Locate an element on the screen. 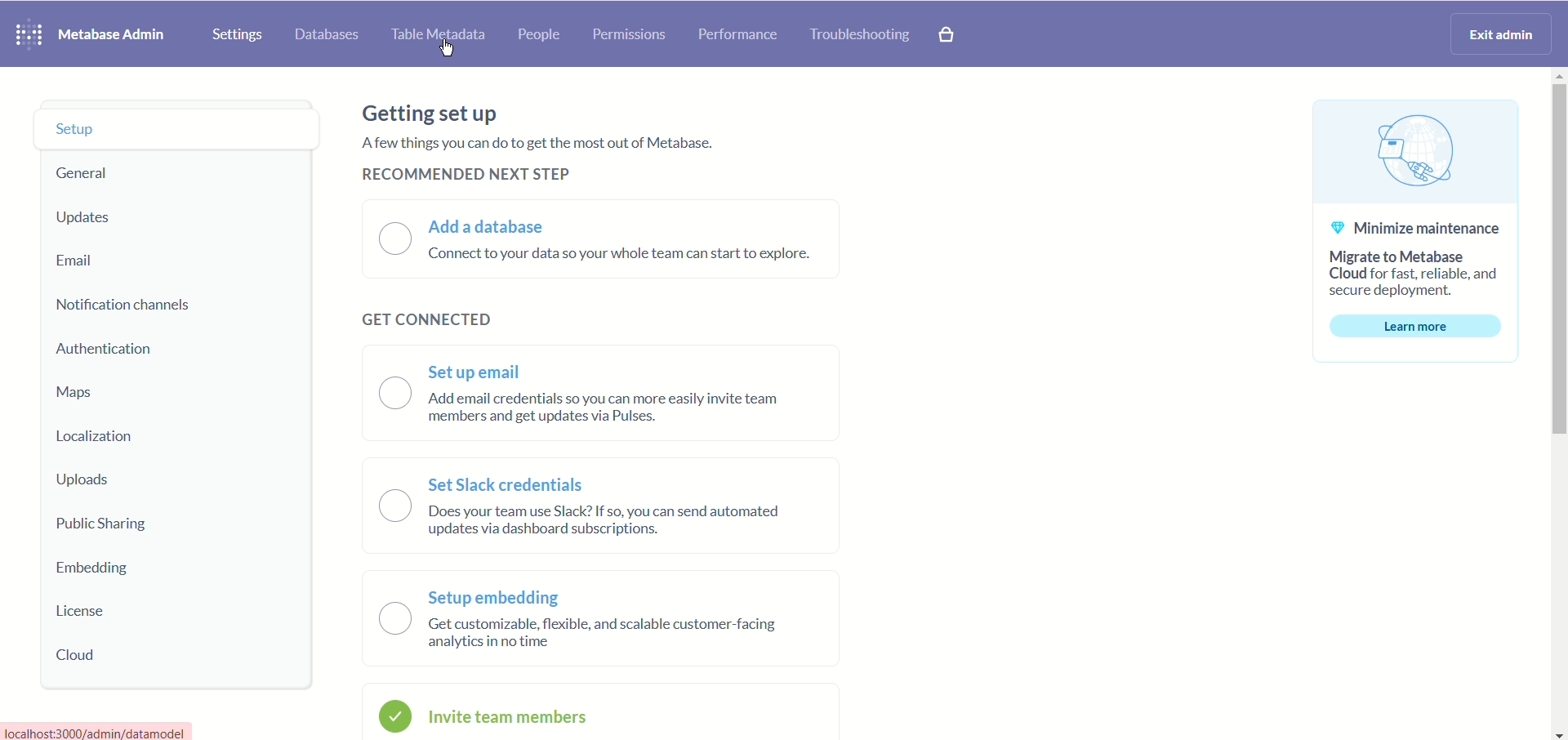 The width and height of the screenshot is (1568, 740). Setup is located at coordinates (147, 127).